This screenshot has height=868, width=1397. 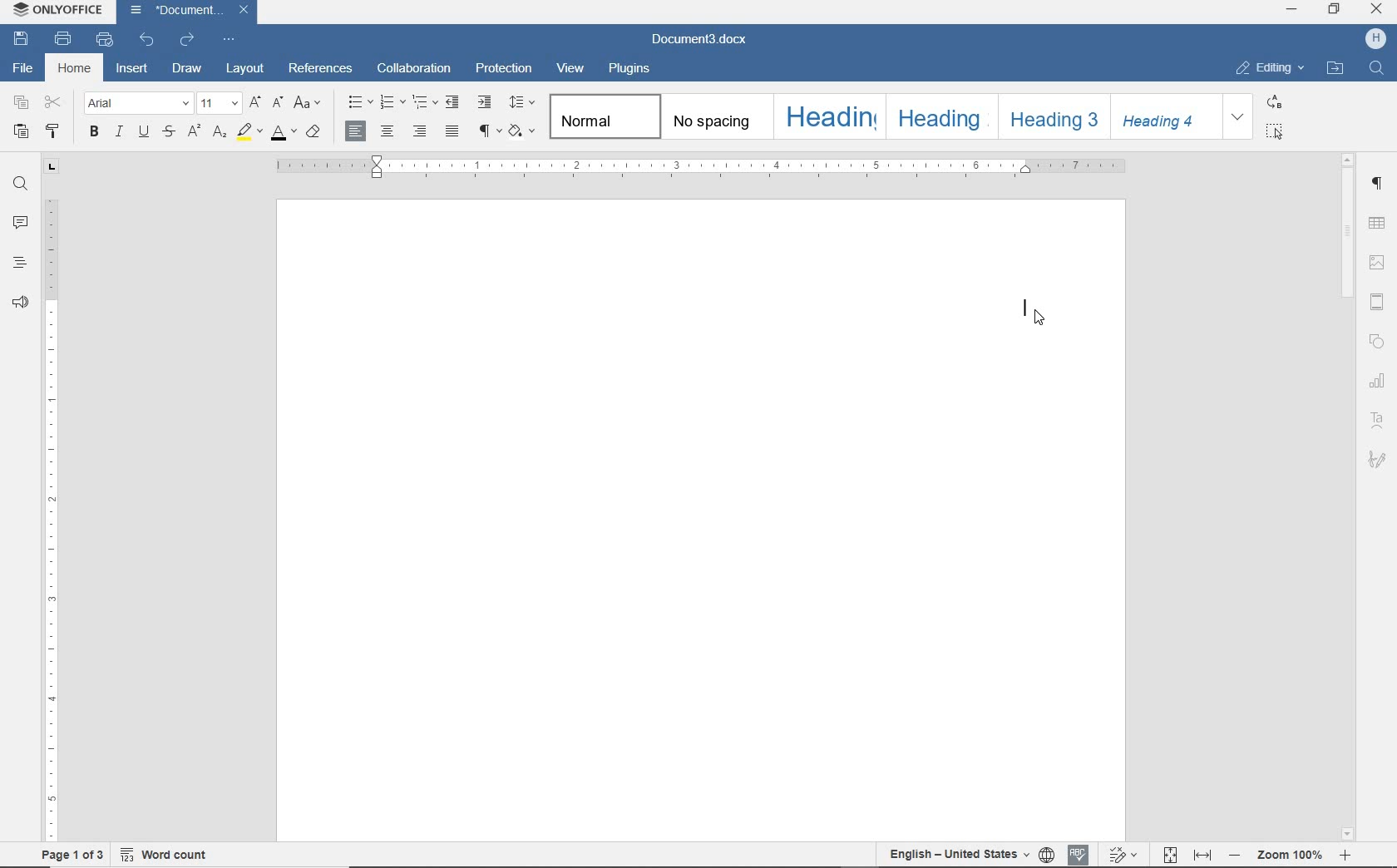 What do you see at coordinates (22, 303) in the screenshot?
I see `Read aloud and accessibility` at bounding box center [22, 303].